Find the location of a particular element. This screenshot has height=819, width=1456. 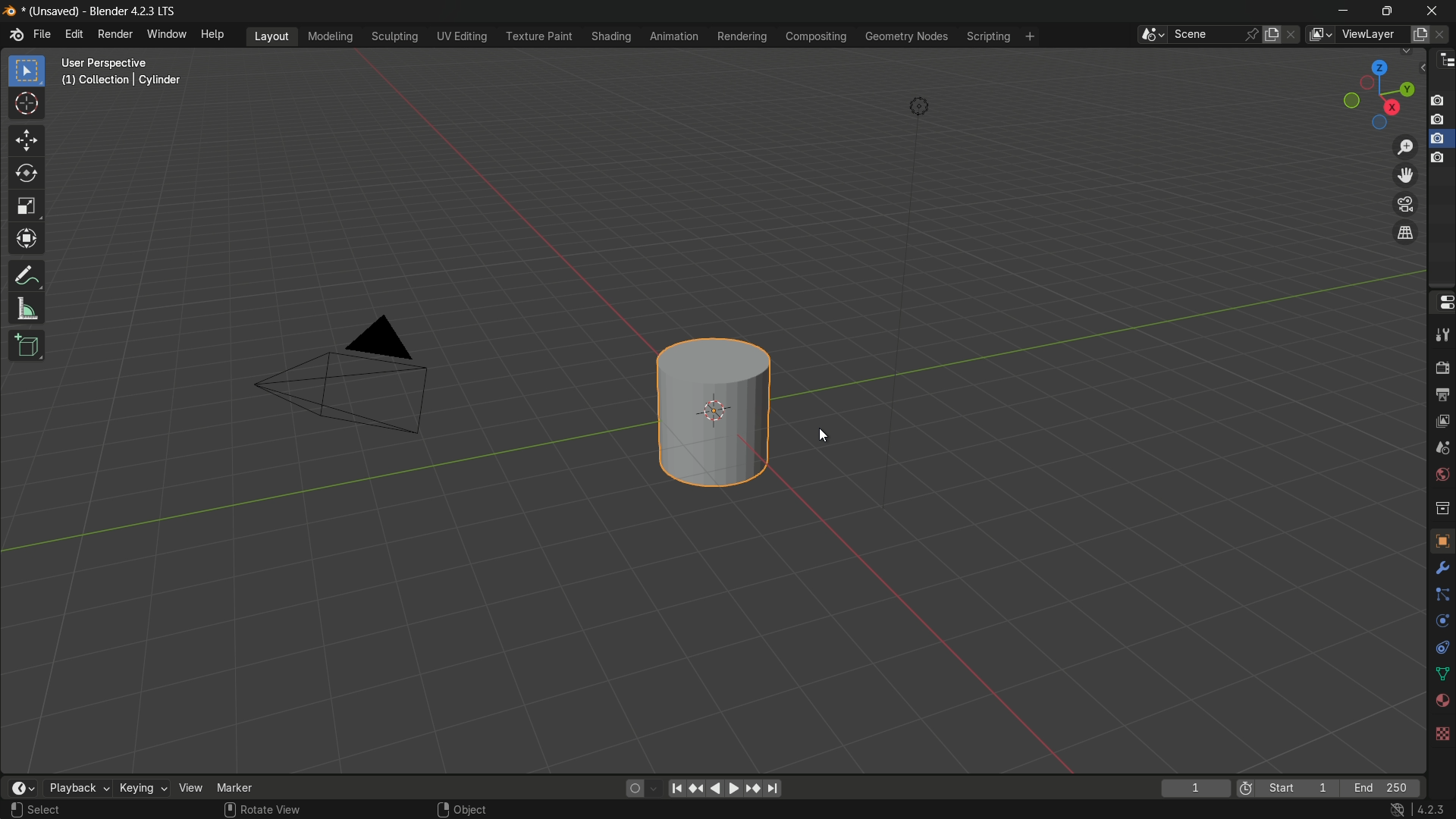

cursor is located at coordinates (27, 105).